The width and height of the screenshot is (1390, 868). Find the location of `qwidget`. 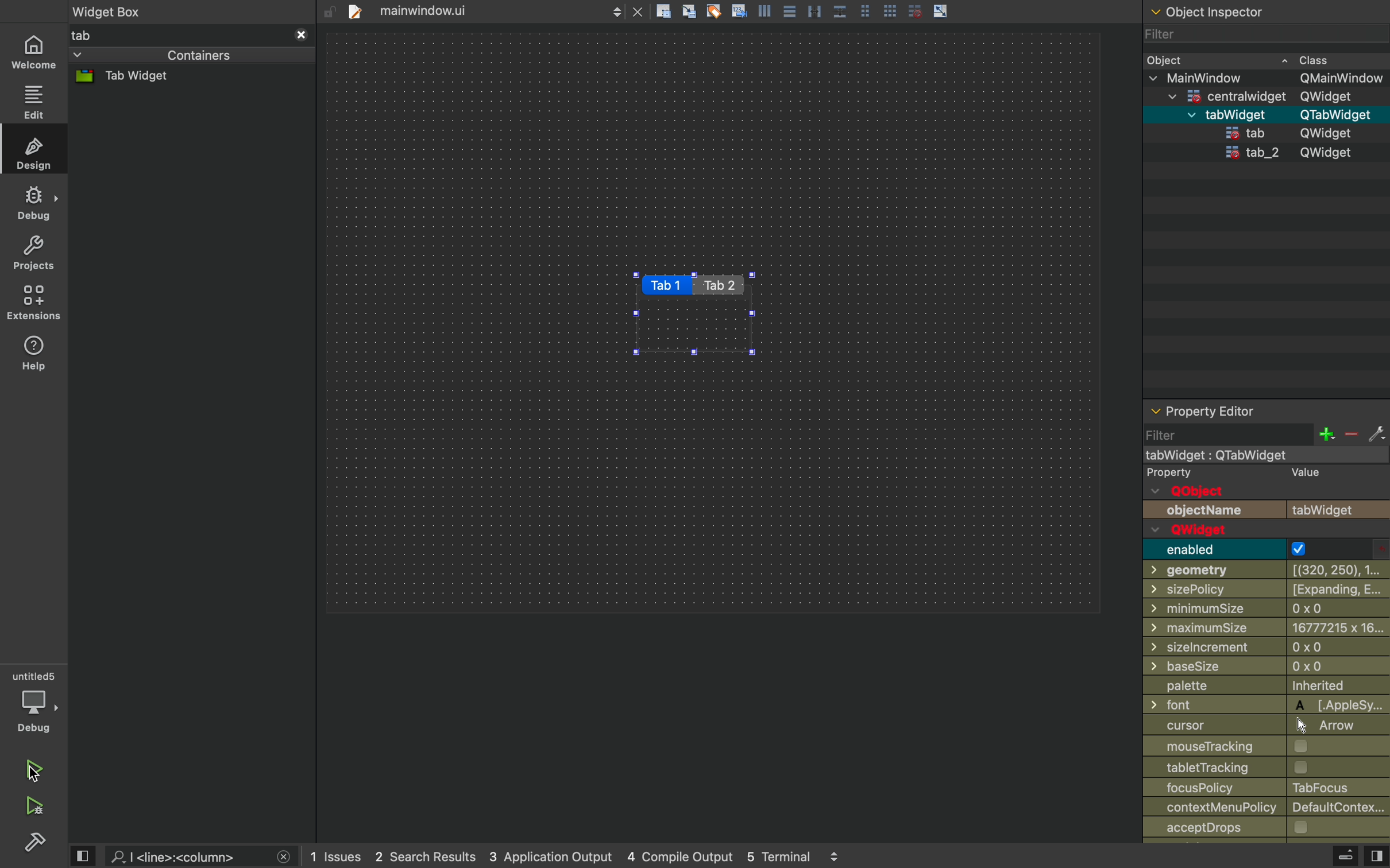

qwidget is located at coordinates (1233, 530).